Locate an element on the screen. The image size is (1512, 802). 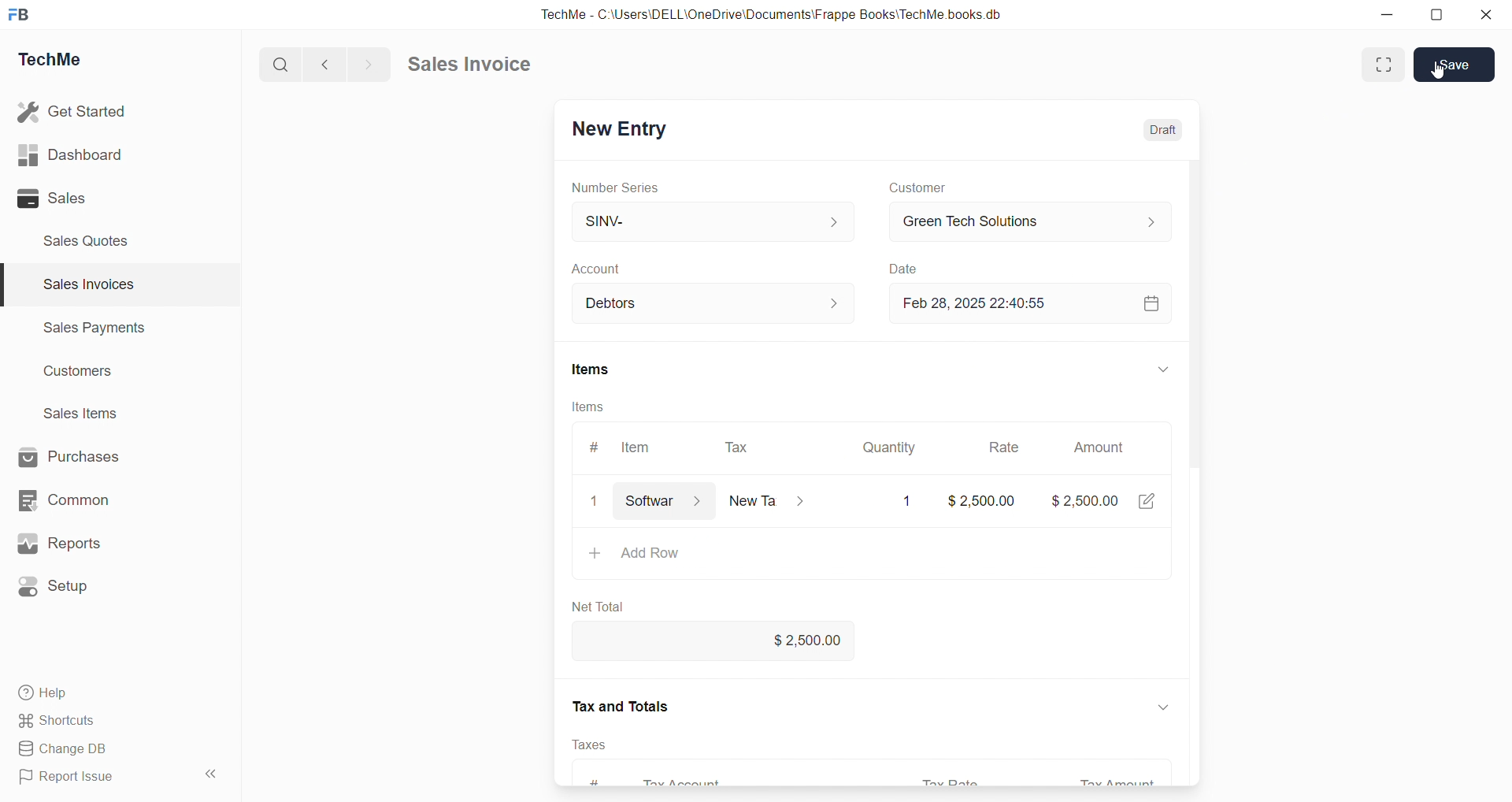
close is located at coordinates (1487, 14).